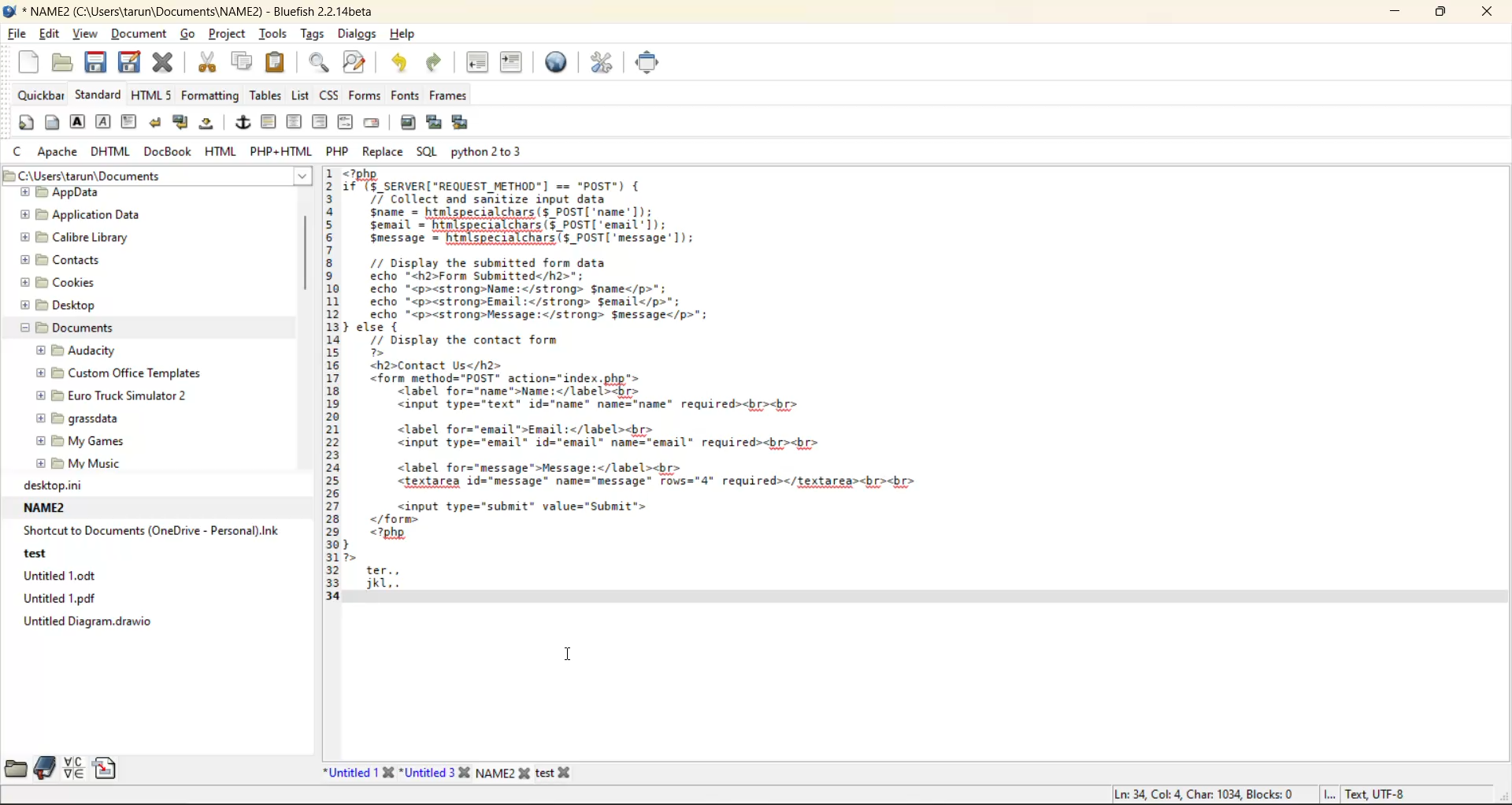 This screenshot has height=805, width=1512. What do you see at coordinates (187, 33) in the screenshot?
I see `go` at bounding box center [187, 33].